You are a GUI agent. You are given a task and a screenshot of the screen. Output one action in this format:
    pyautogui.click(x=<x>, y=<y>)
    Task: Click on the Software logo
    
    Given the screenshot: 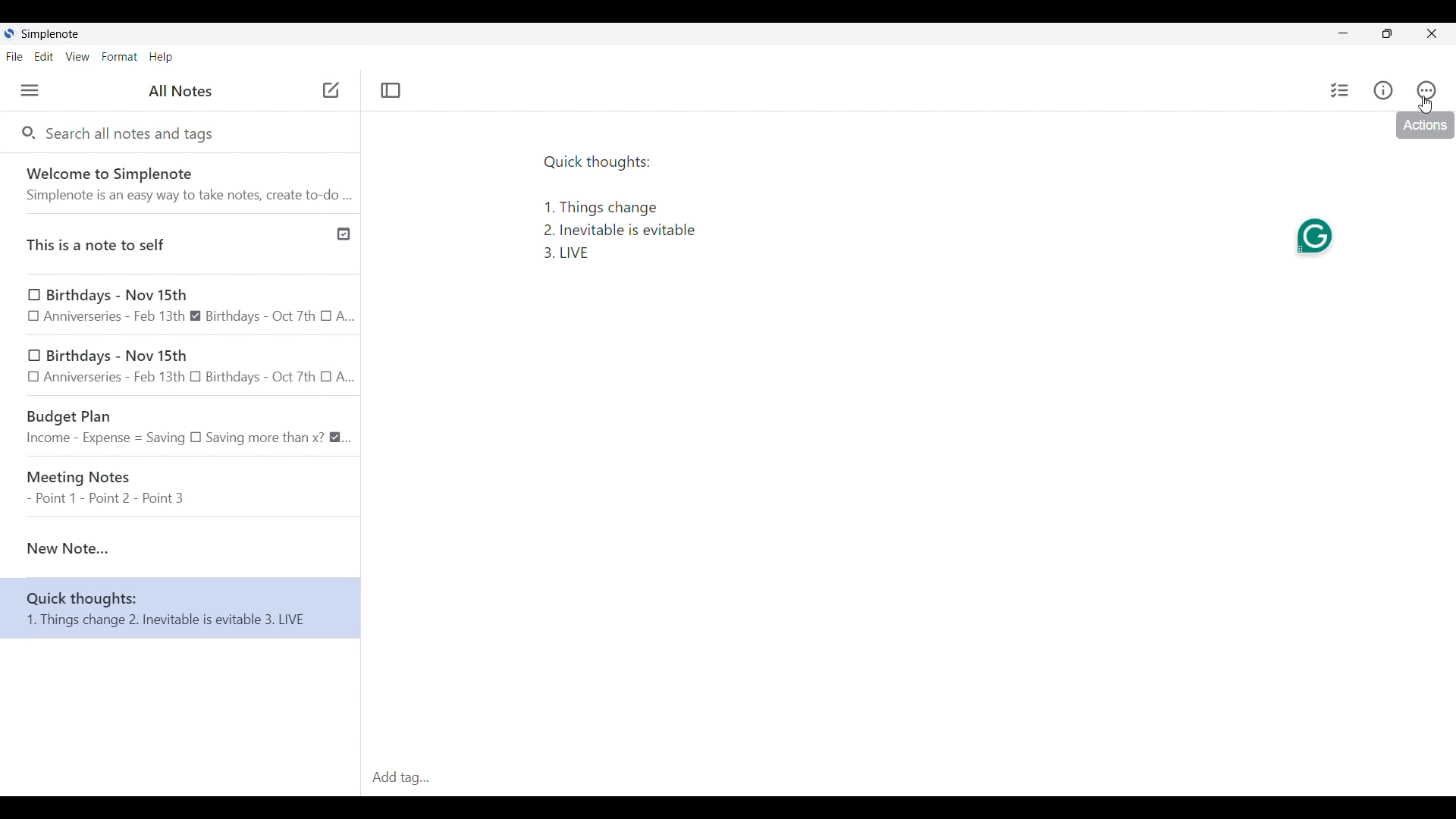 What is the action you would take?
    pyautogui.click(x=10, y=33)
    